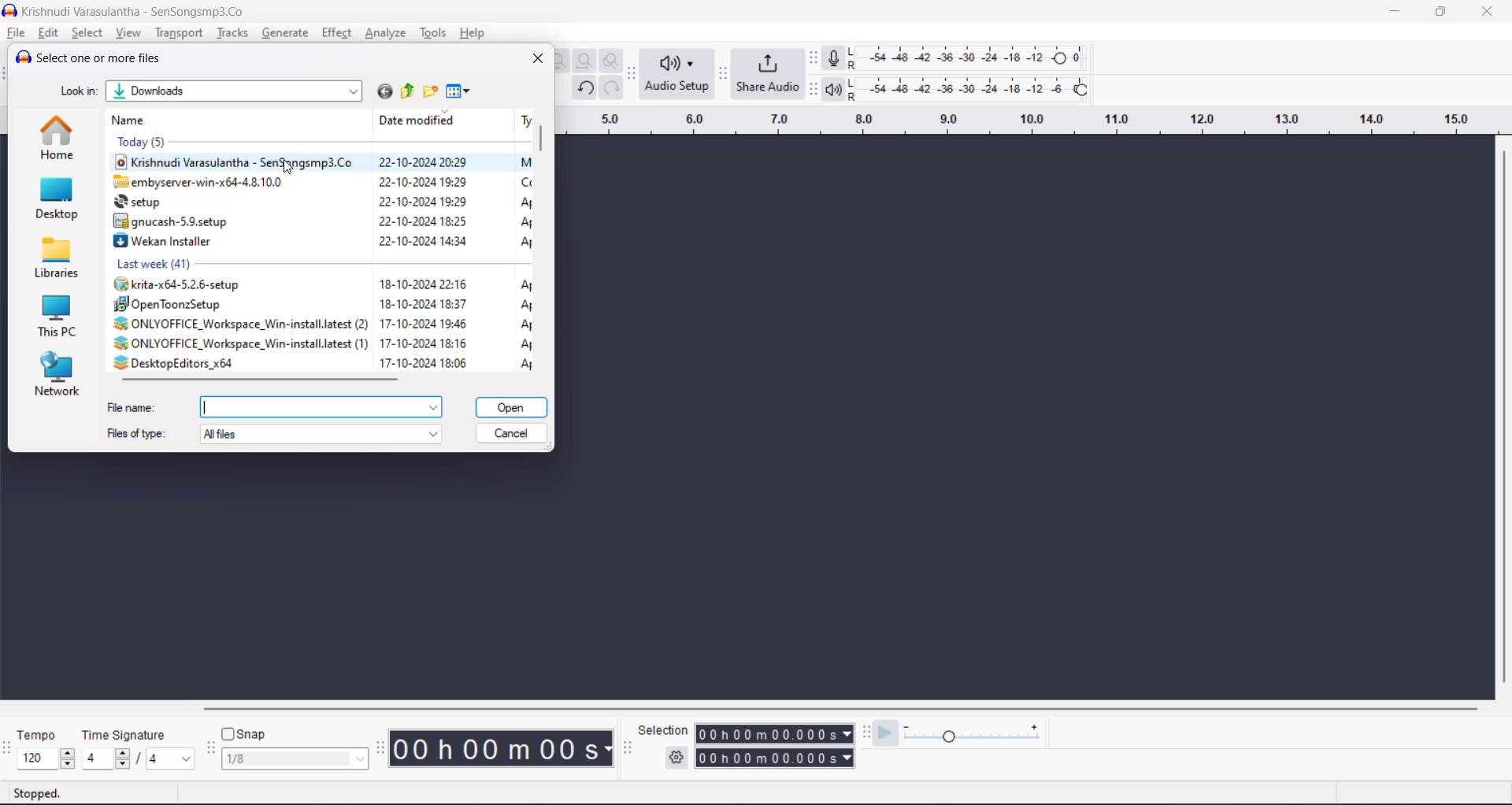  Describe the element at coordinates (539, 57) in the screenshot. I see `close window` at that location.